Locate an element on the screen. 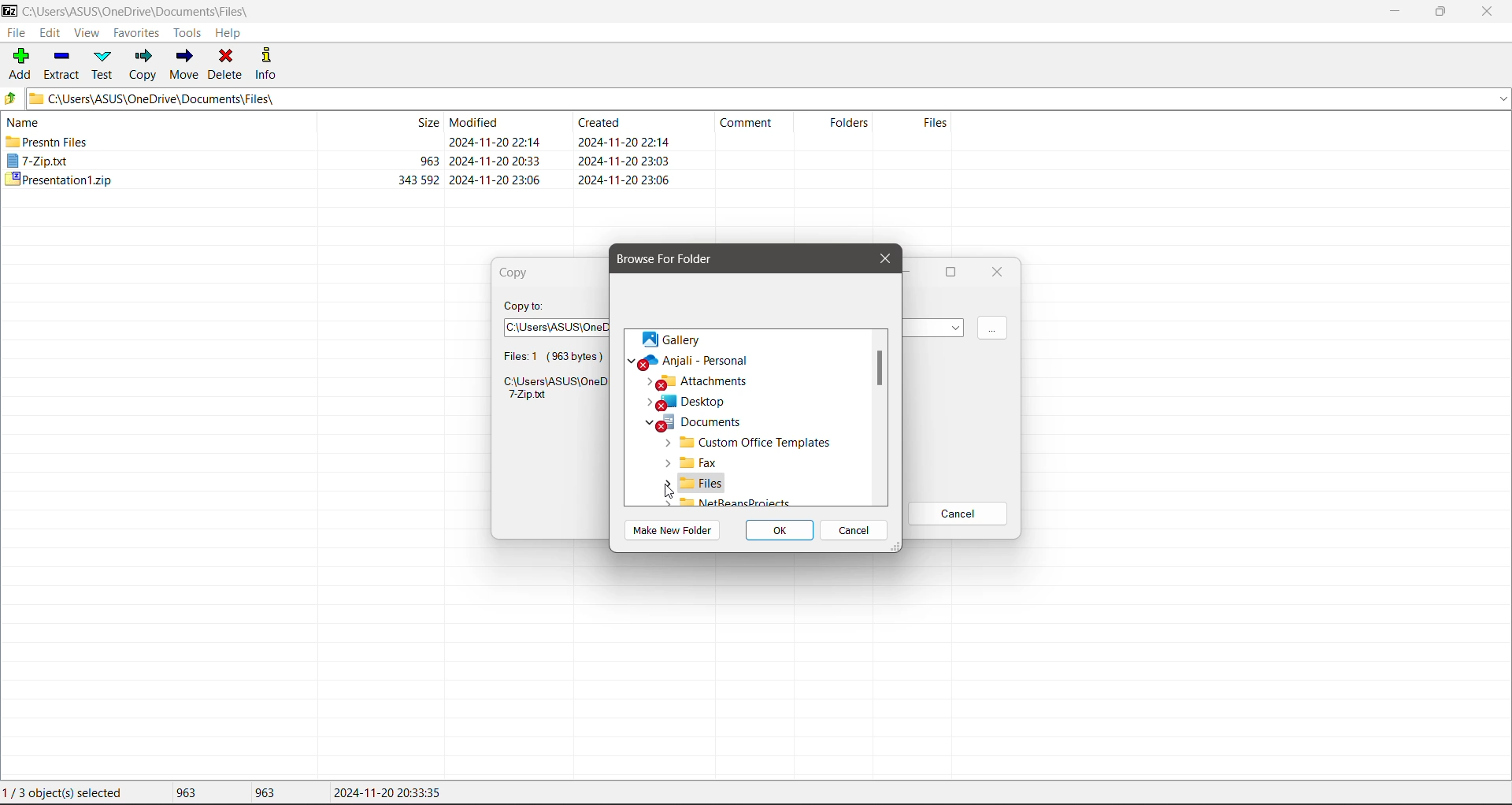  Desktop is located at coordinates (690, 402).